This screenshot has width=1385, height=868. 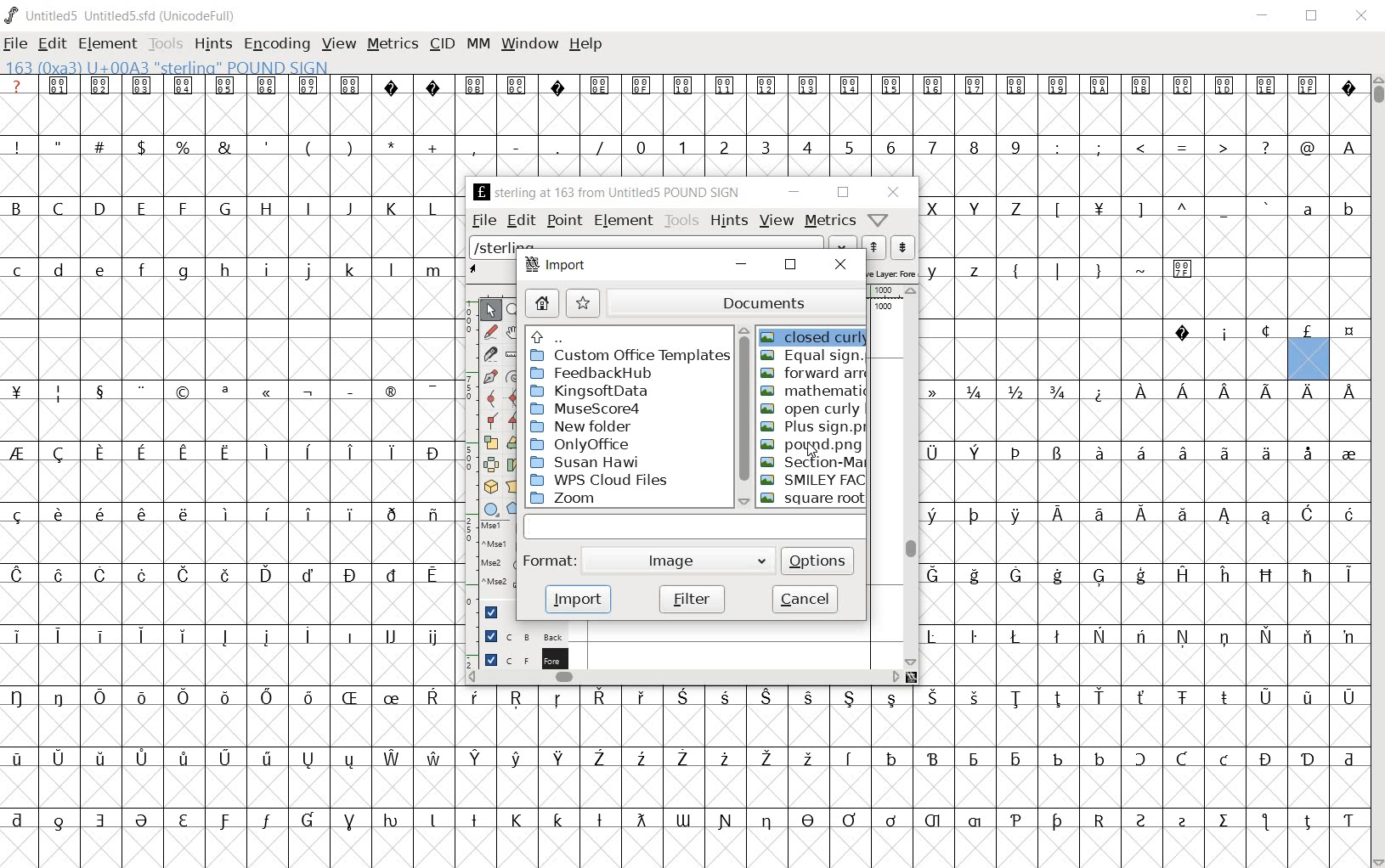 What do you see at coordinates (1058, 638) in the screenshot?
I see `Symbol` at bounding box center [1058, 638].